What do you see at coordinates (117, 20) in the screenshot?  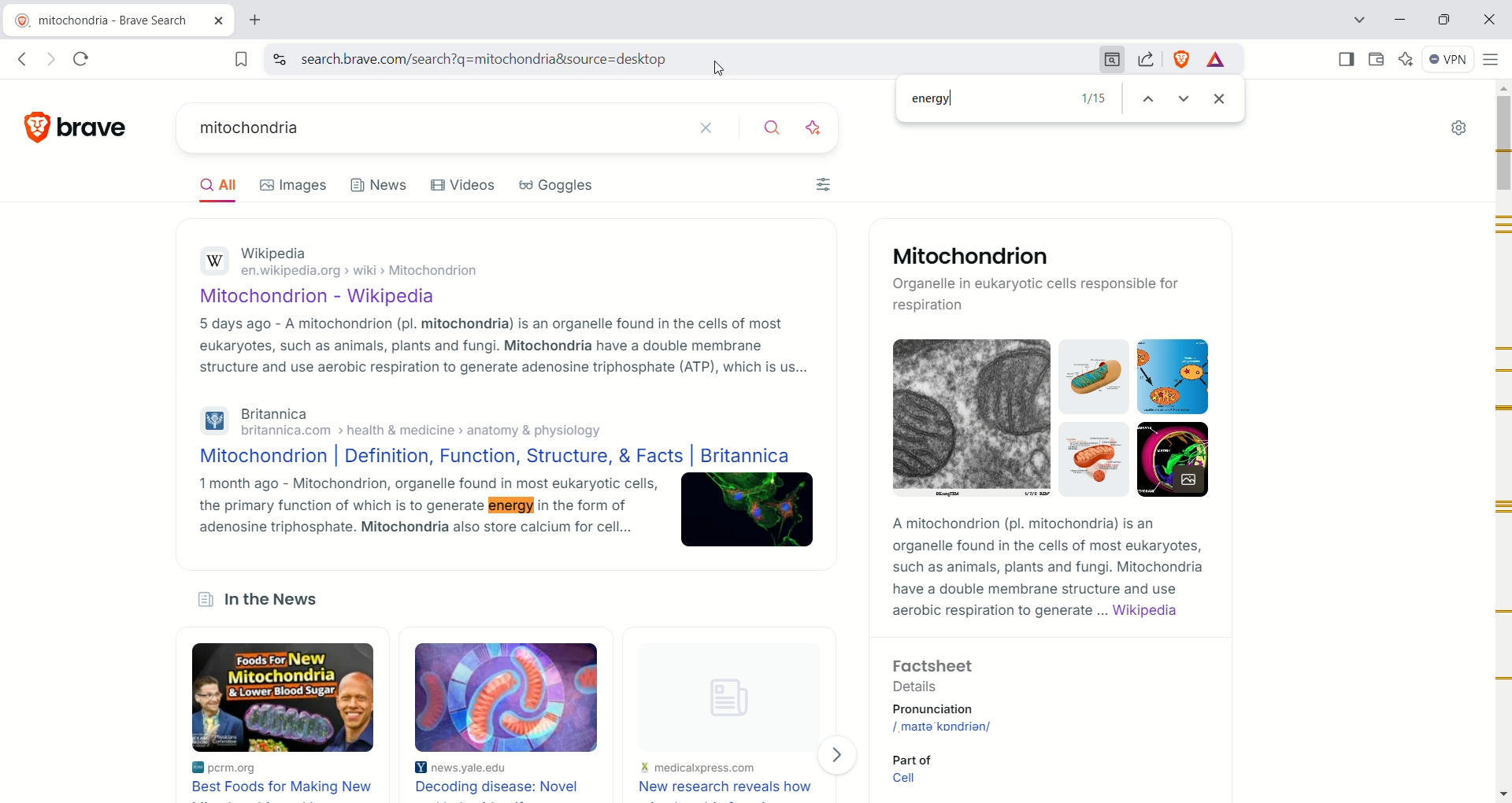 I see `mitochondria - brave search` at bounding box center [117, 20].